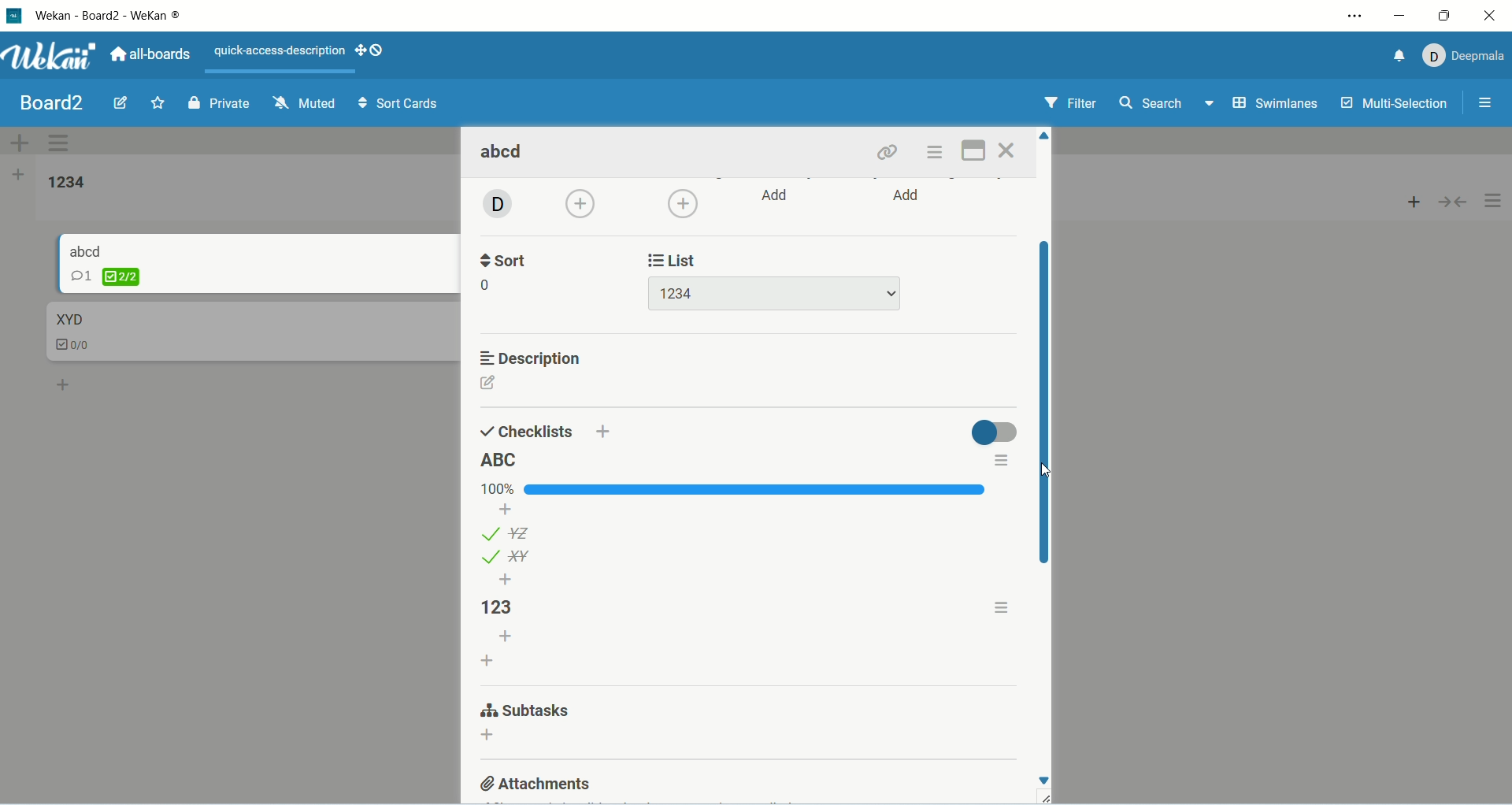 Image resolution: width=1512 pixels, height=805 pixels. I want to click on close, so click(1483, 17).